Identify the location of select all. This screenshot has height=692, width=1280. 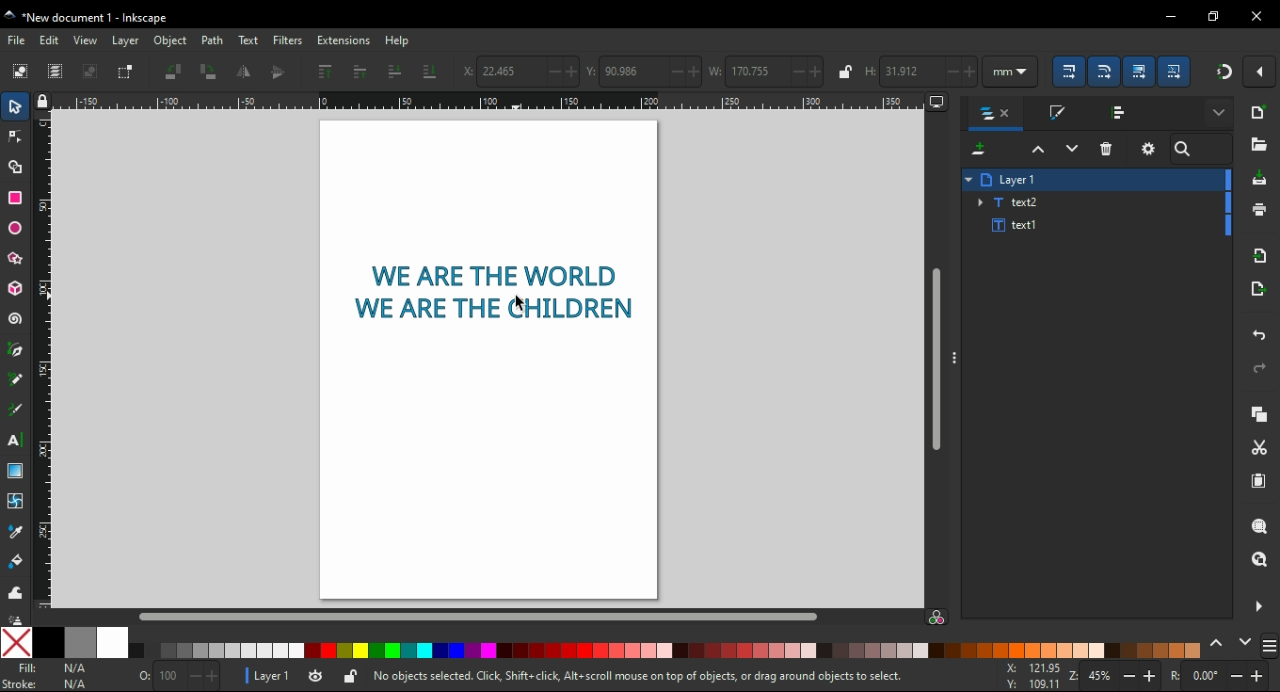
(56, 72).